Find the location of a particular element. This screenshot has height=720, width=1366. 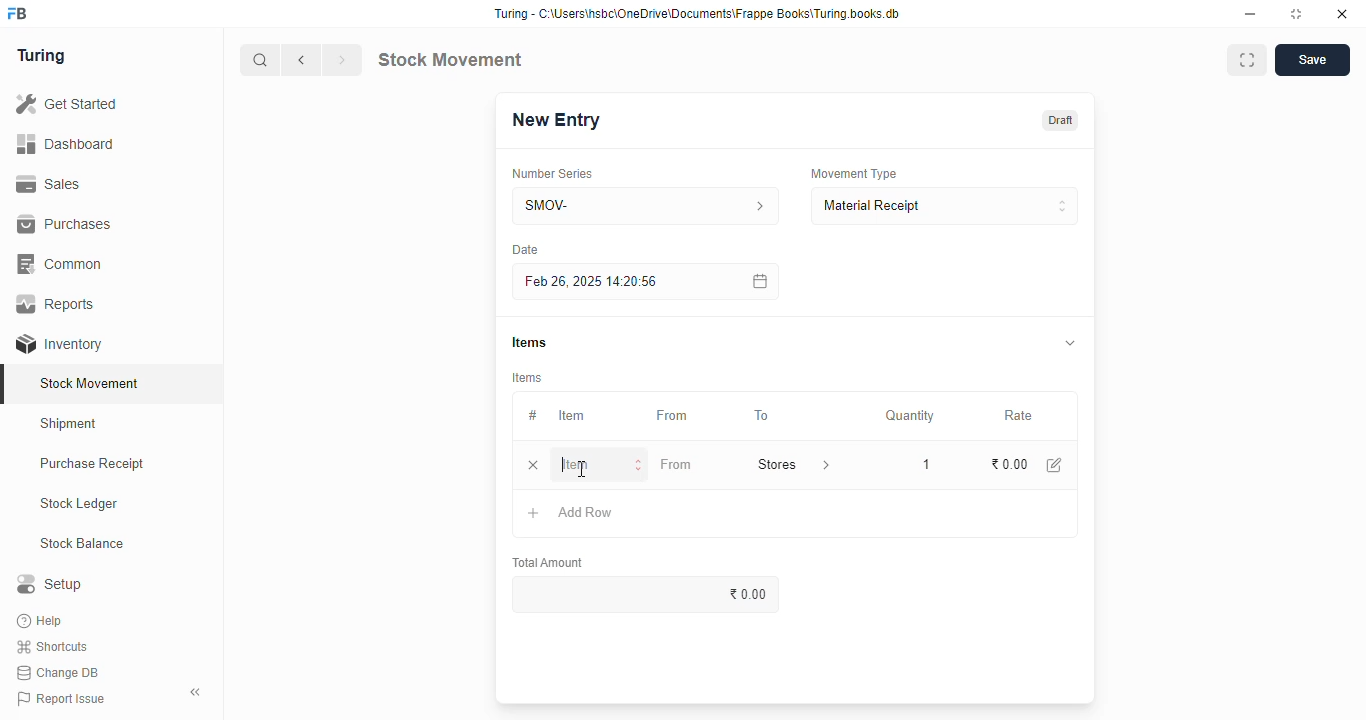

previous is located at coordinates (302, 60).